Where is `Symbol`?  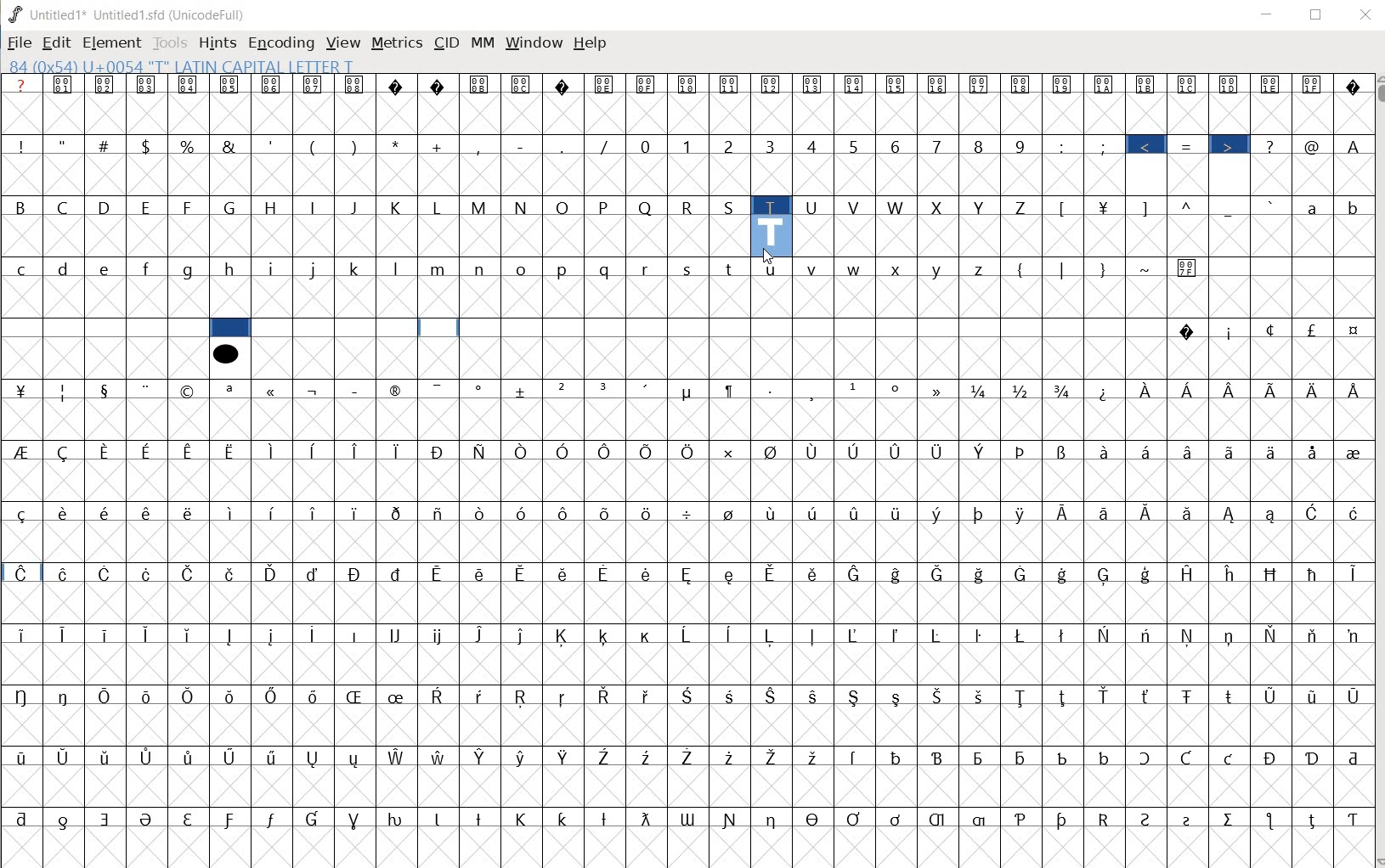 Symbol is located at coordinates (231, 451).